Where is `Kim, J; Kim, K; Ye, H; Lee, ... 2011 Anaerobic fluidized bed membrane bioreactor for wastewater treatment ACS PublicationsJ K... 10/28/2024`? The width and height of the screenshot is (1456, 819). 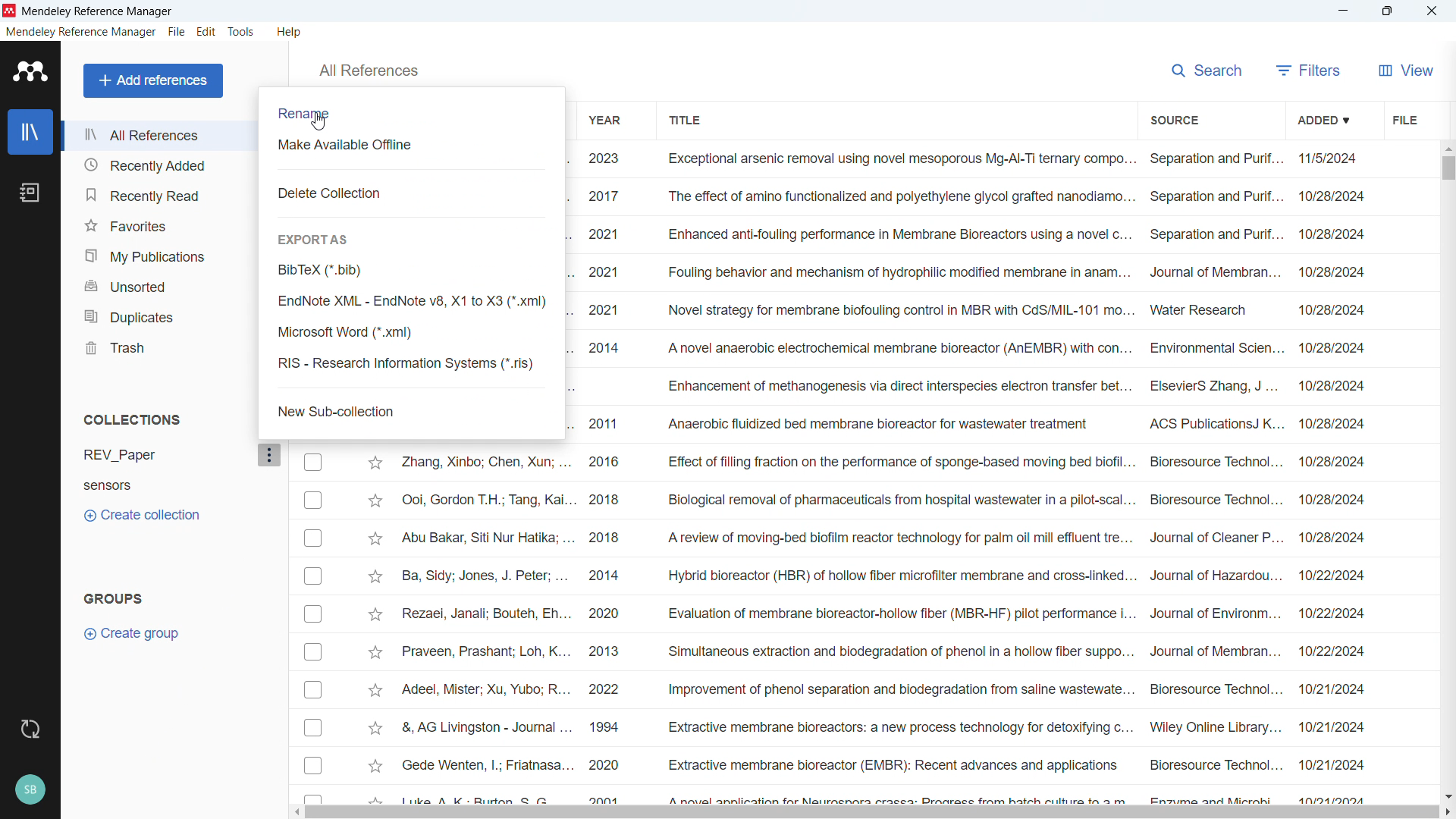
Kim, J; Kim, K; Ye, H; Lee, ... 2011 Anaerobic fluidized bed membrane bioreactor for wastewater treatment ACS PublicationsJ K... 10/28/2024 is located at coordinates (970, 423).